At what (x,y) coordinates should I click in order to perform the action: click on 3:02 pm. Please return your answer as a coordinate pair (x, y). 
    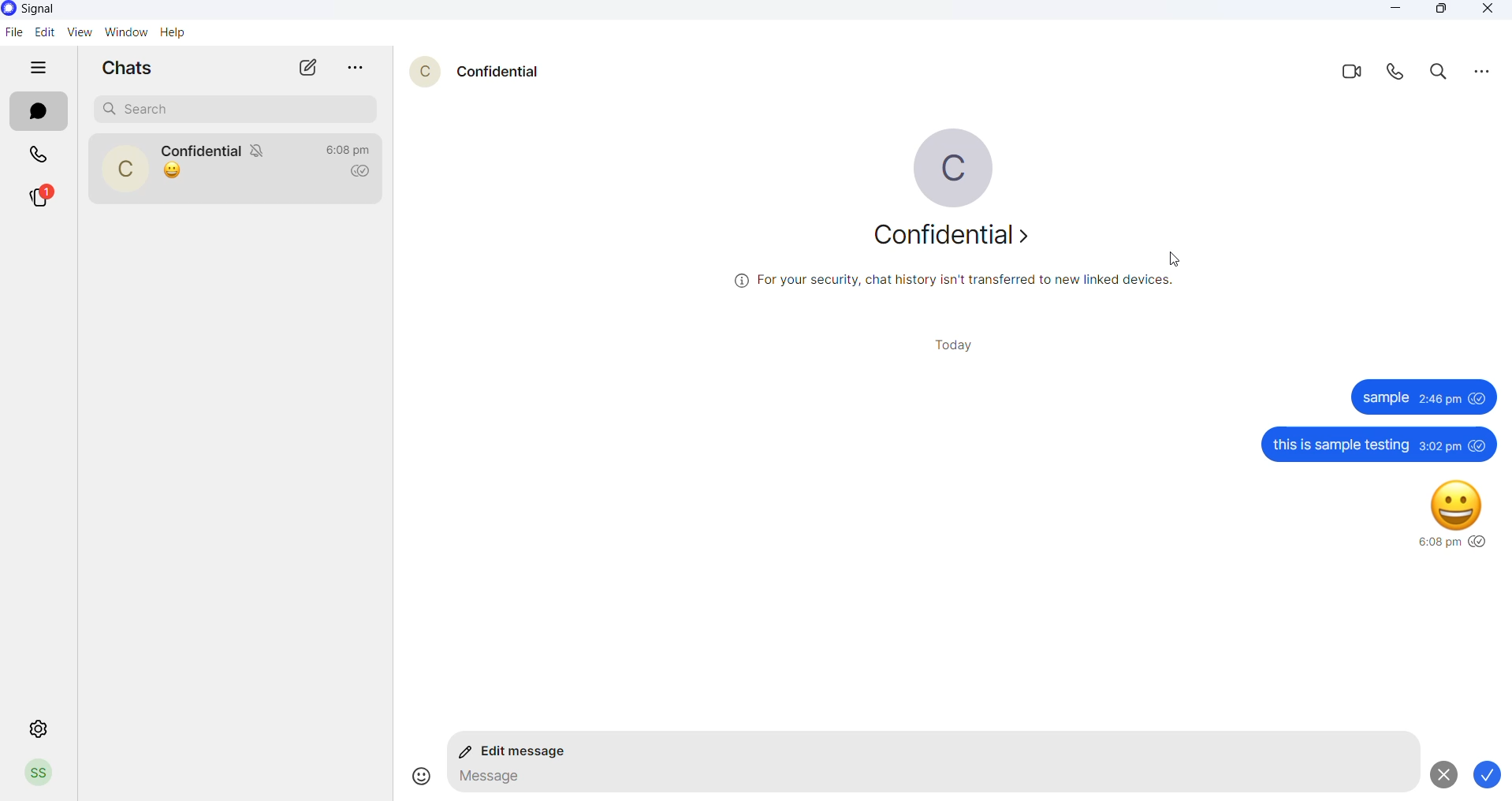
    Looking at the image, I should click on (1439, 445).